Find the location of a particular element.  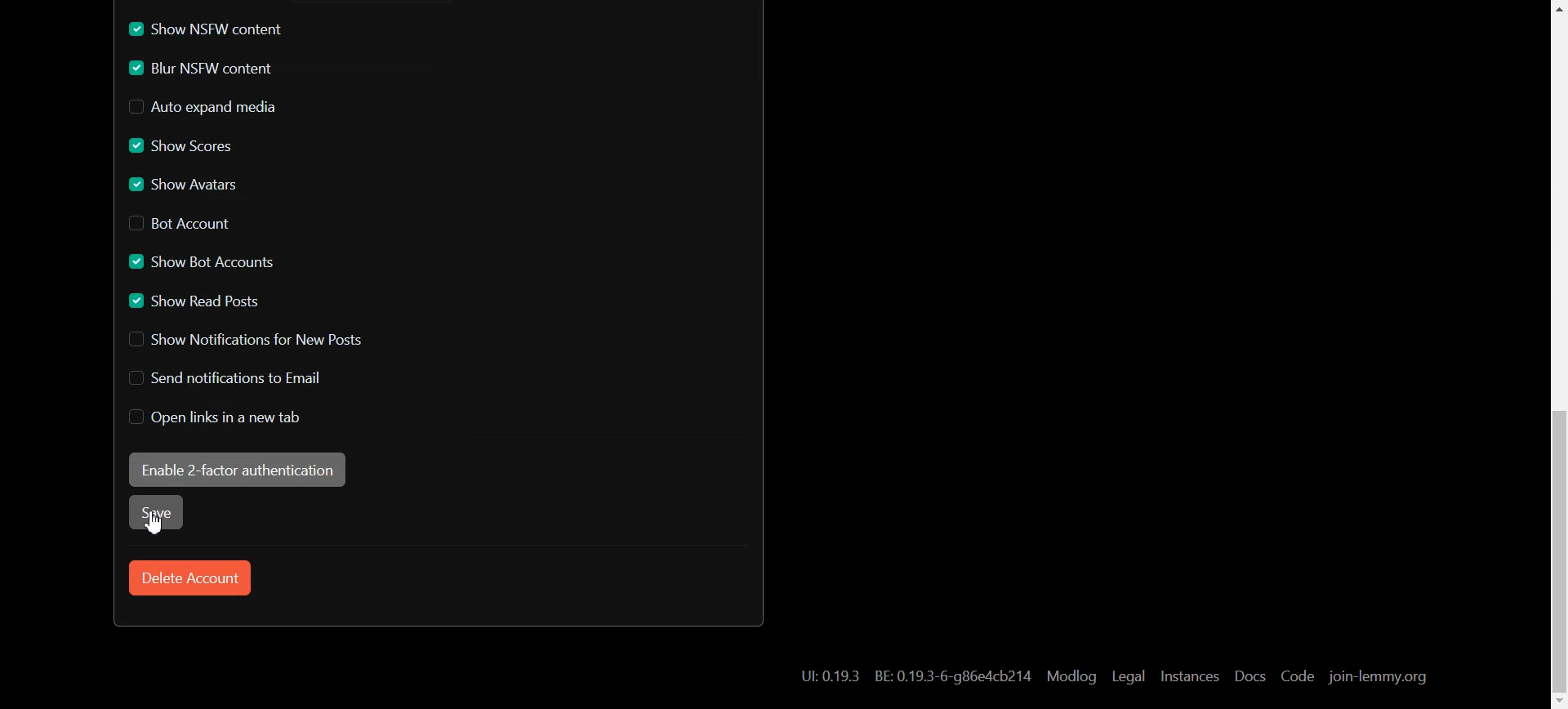

Hyperlink is located at coordinates (915, 676).